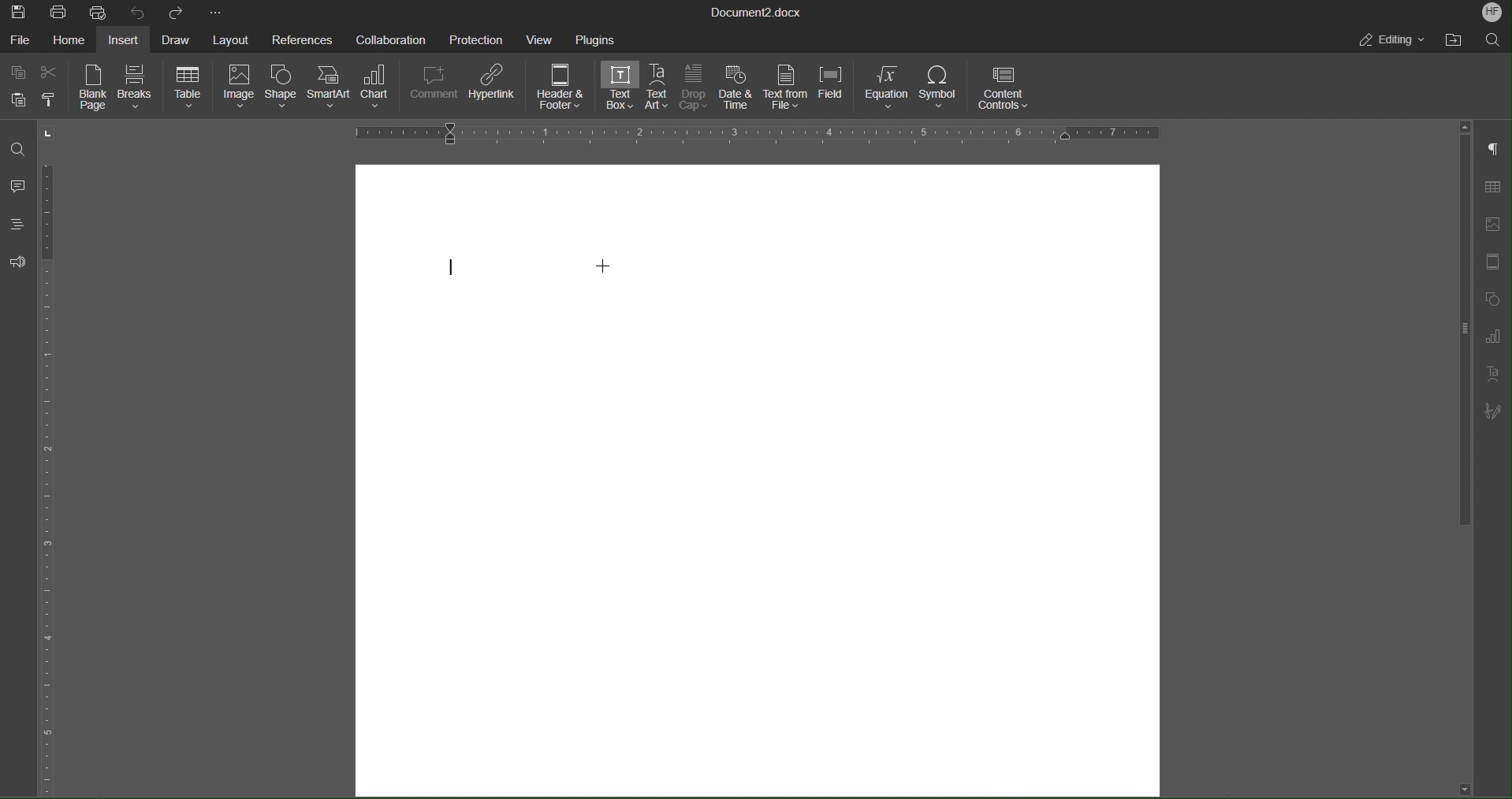 This screenshot has width=1512, height=799. I want to click on Shape, so click(283, 90).